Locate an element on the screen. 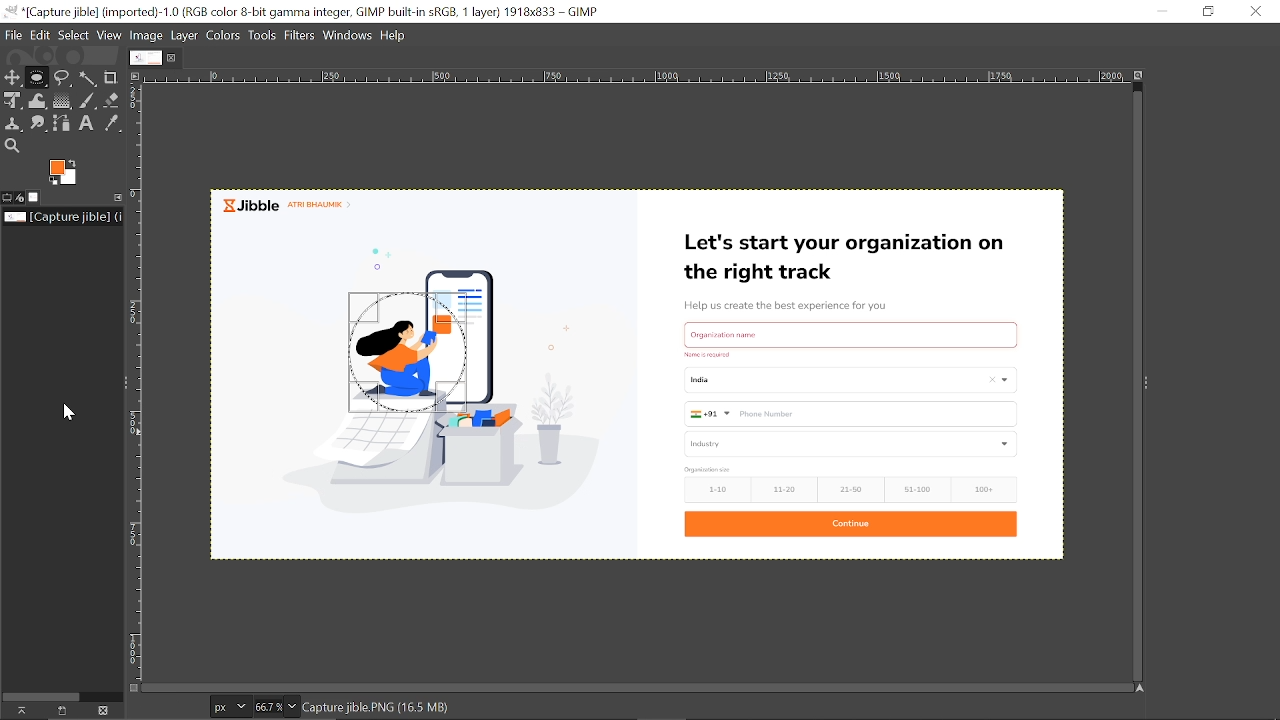  Tools is located at coordinates (264, 35).